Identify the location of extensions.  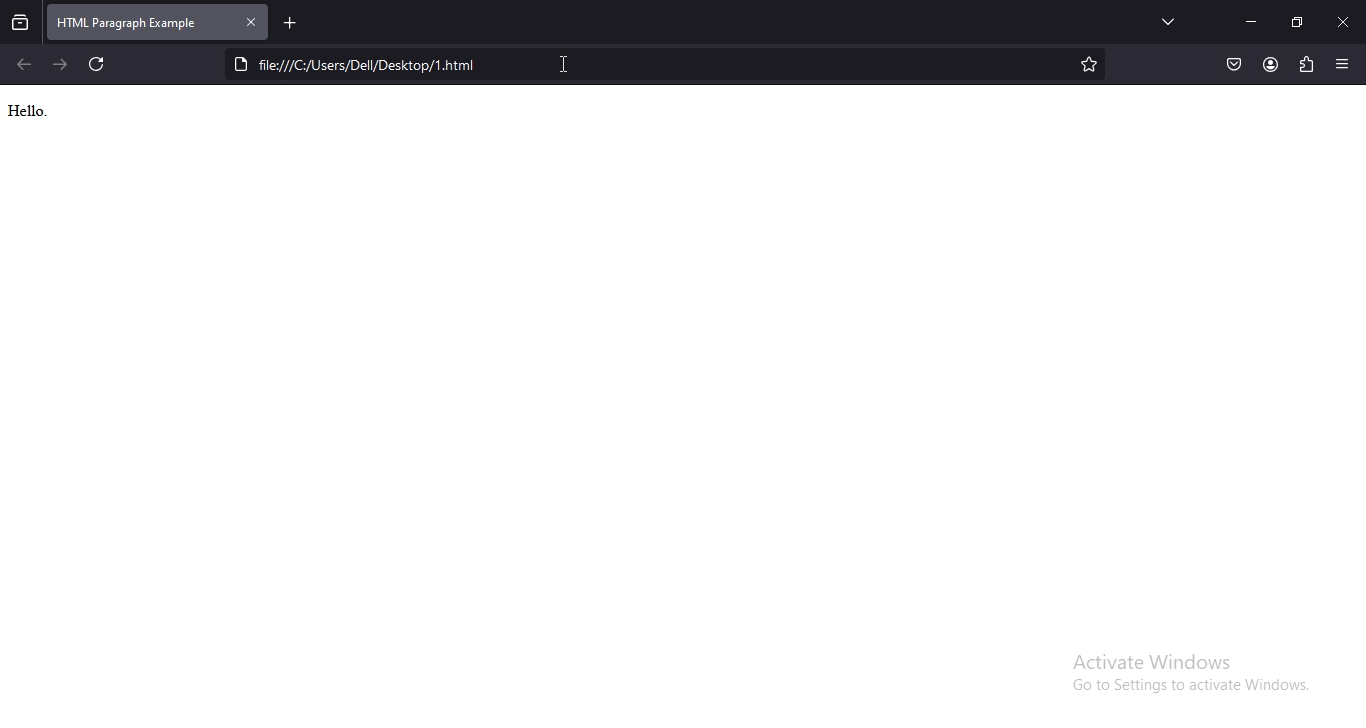
(1306, 64).